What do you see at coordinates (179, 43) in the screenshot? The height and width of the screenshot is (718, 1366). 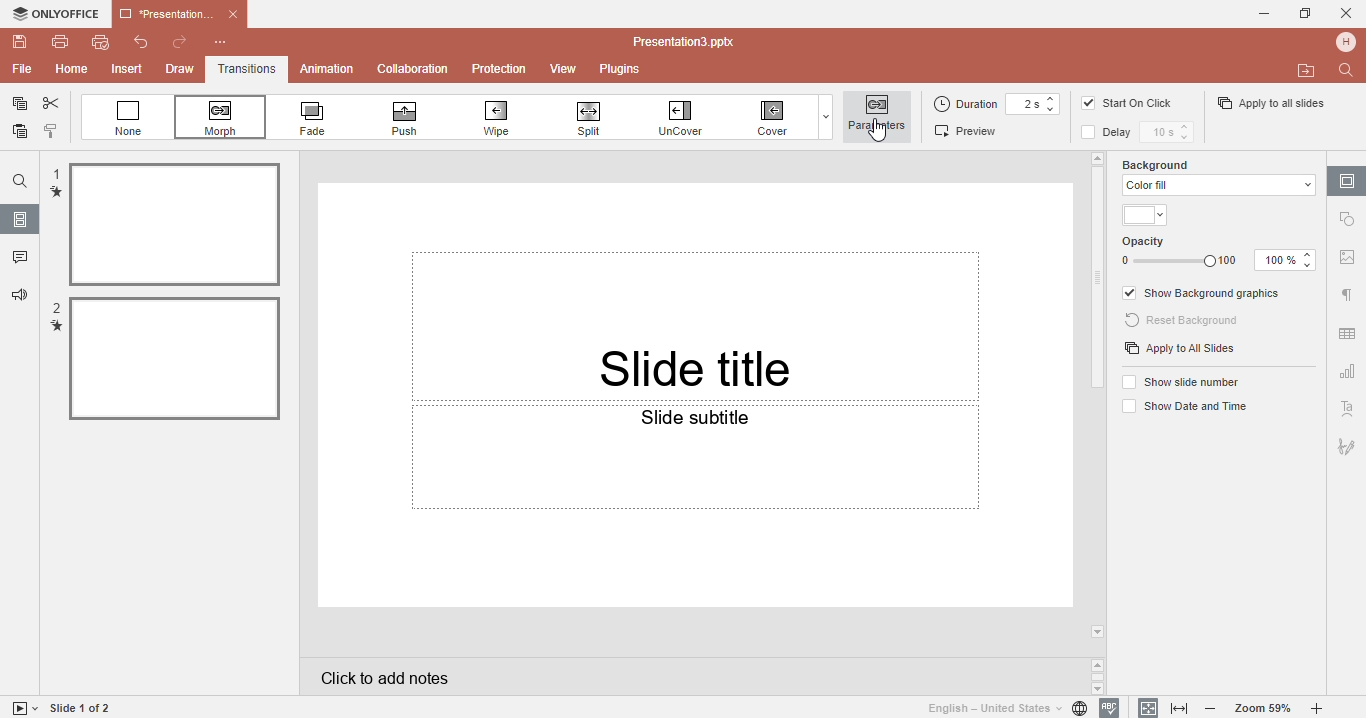 I see `Redo` at bounding box center [179, 43].